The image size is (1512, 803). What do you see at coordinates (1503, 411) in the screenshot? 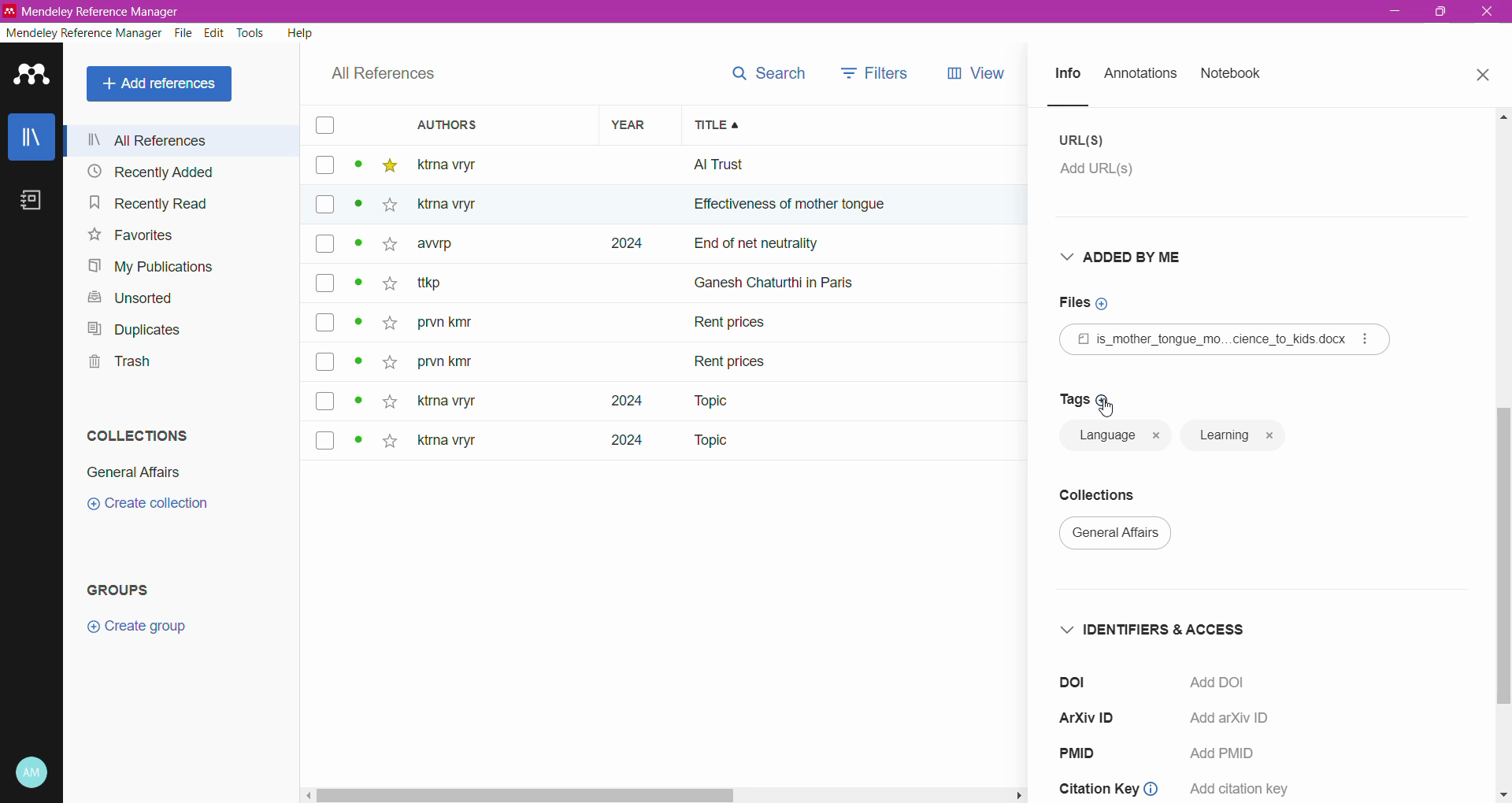
I see `Vertical Scroll Bar dragged to final position` at bounding box center [1503, 411].